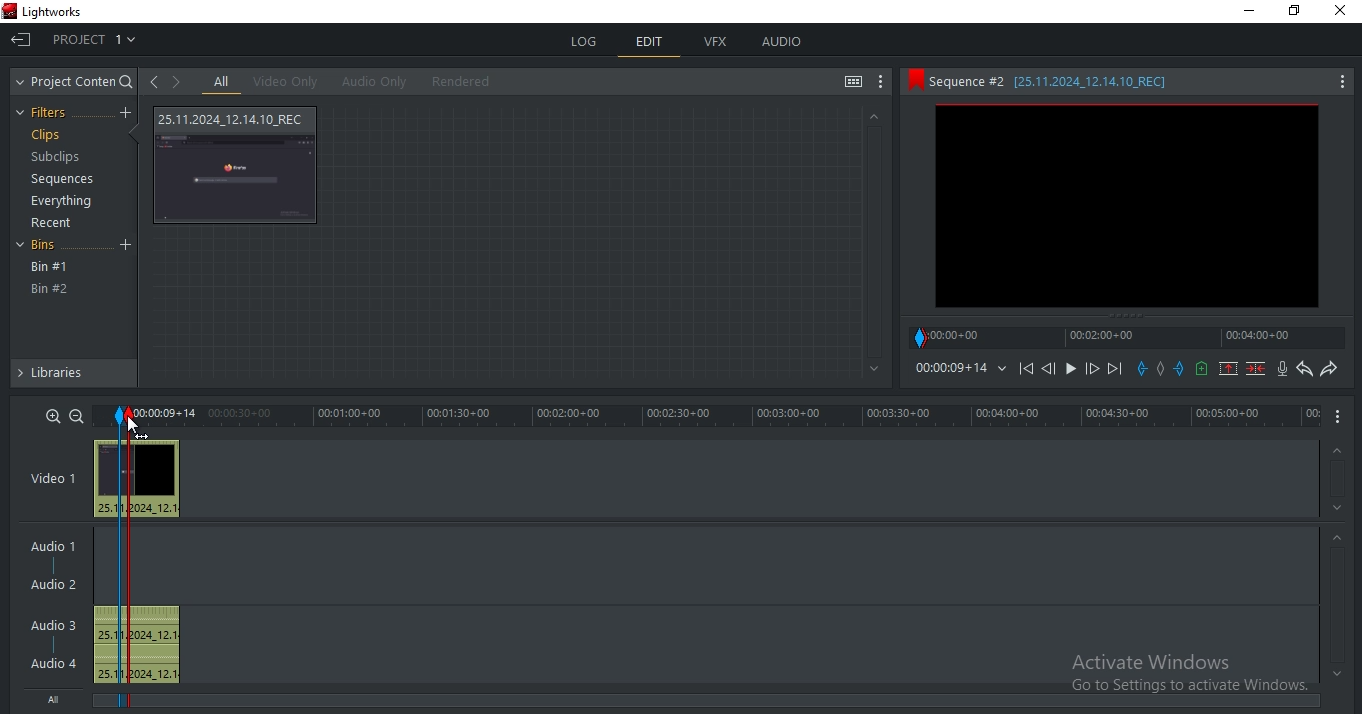 The width and height of the screenshot is (1362, 714). What do you see at coordinates (120, 416) in the screenshot?
I see `mark` at bounding box center [120, 416].